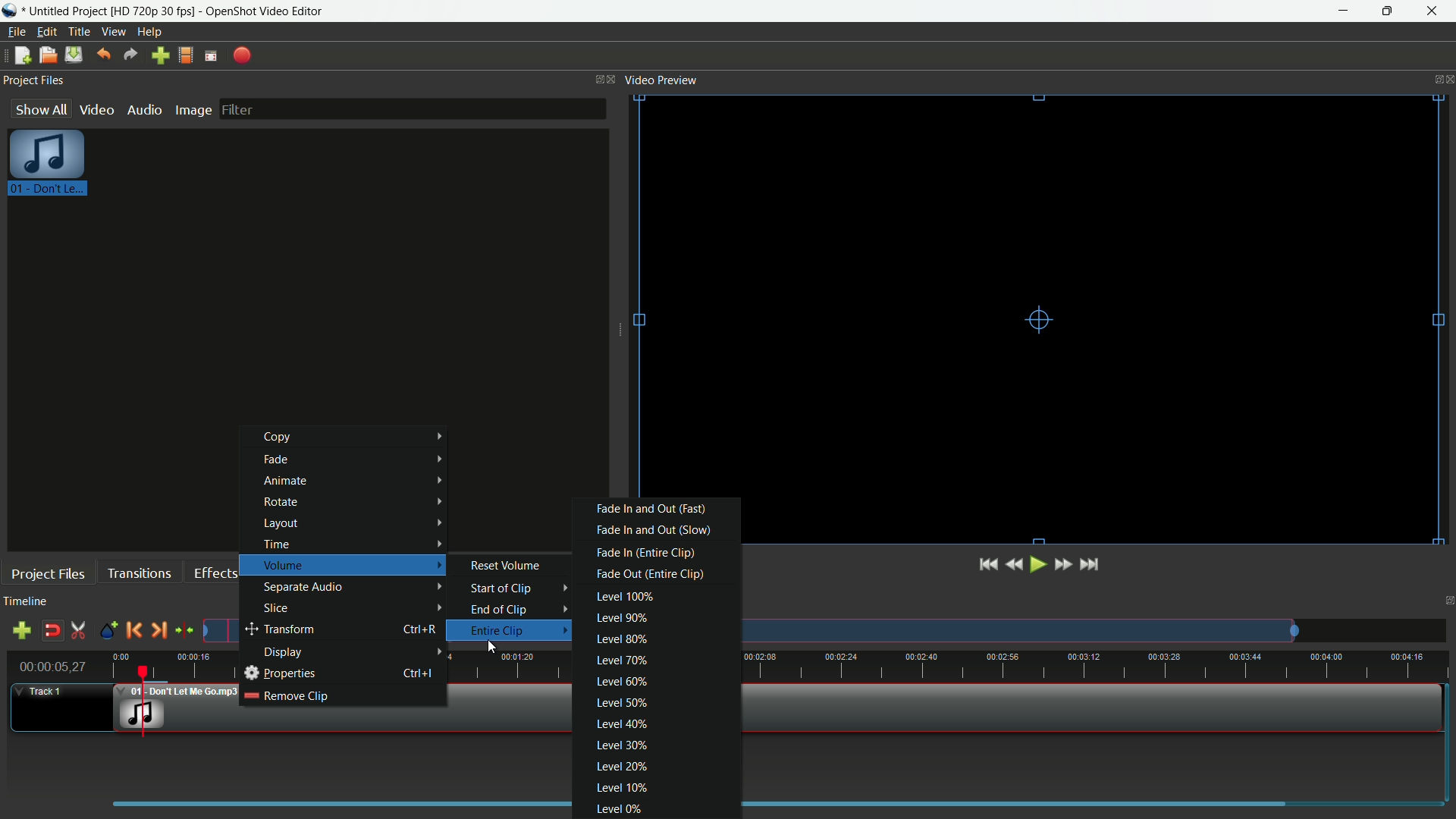  Describe the element at coordinates (1016, 564) in the screenshot. I see `quickly play backward` at that location.